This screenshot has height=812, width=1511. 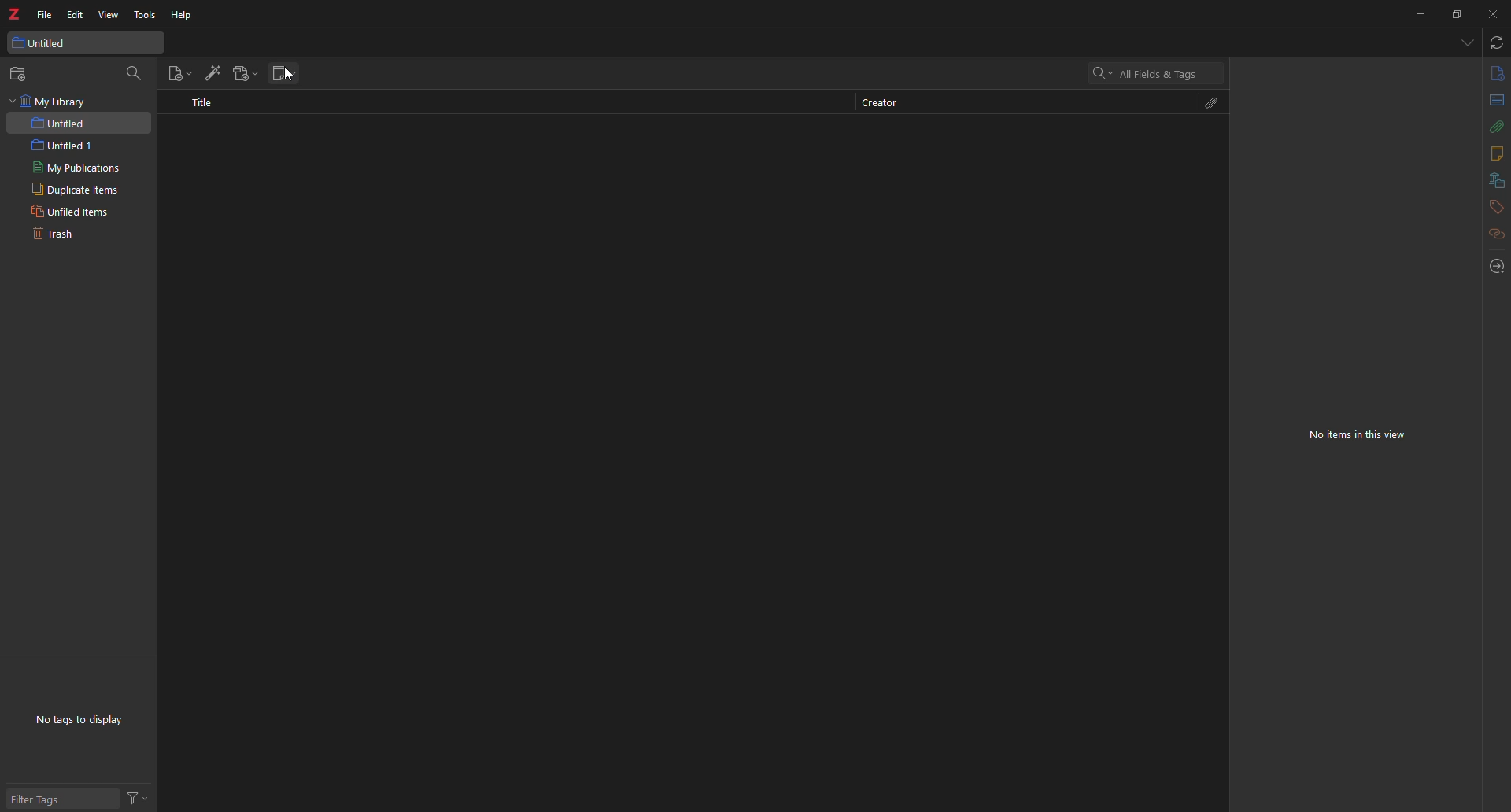 I want to click on unfiled items, so click(x=68, y=211).